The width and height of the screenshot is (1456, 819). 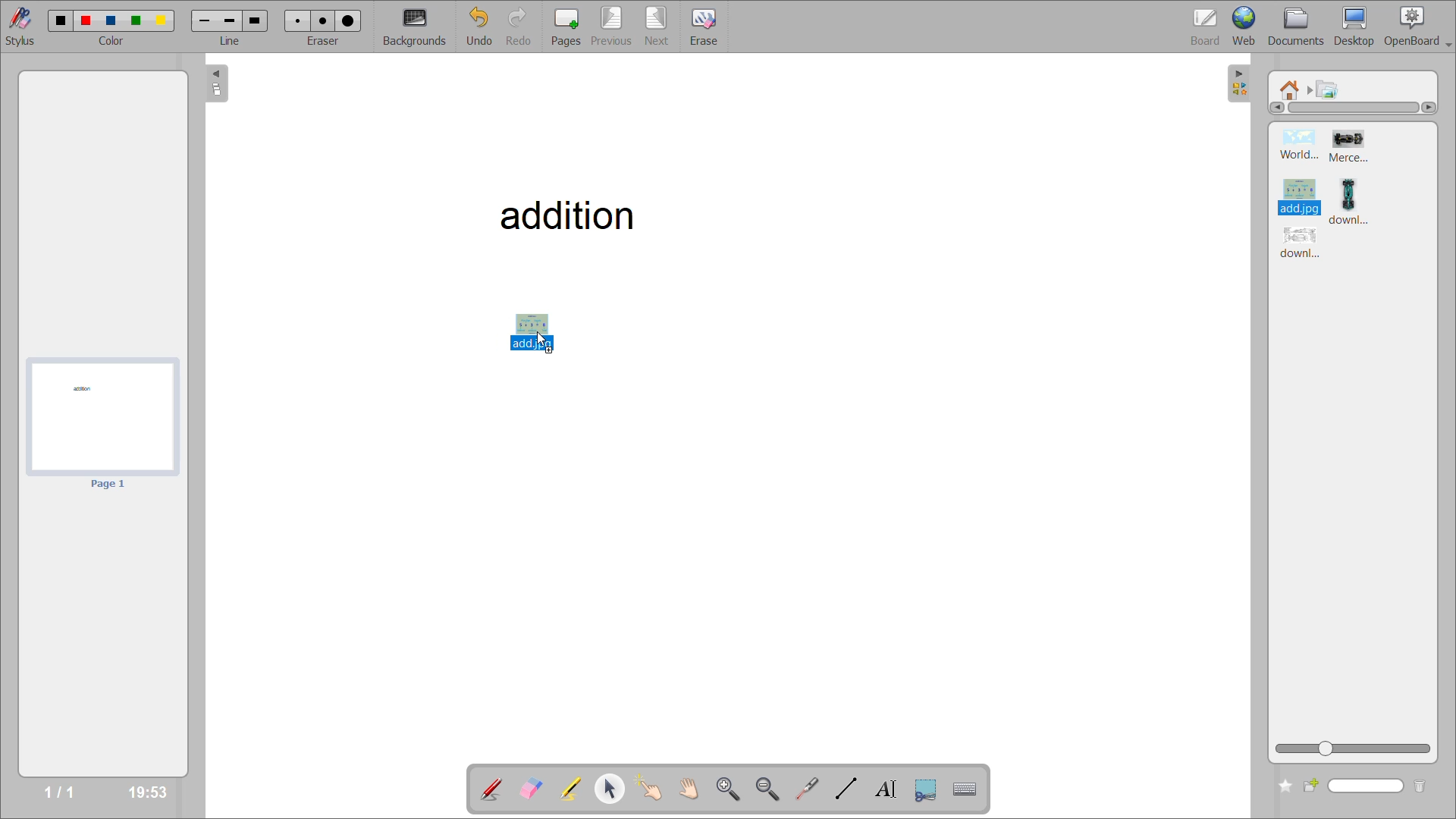 What do you see at coordinates (729, 787) in the screenshot?
I see `zoom in` at bounding box center [729, 787].